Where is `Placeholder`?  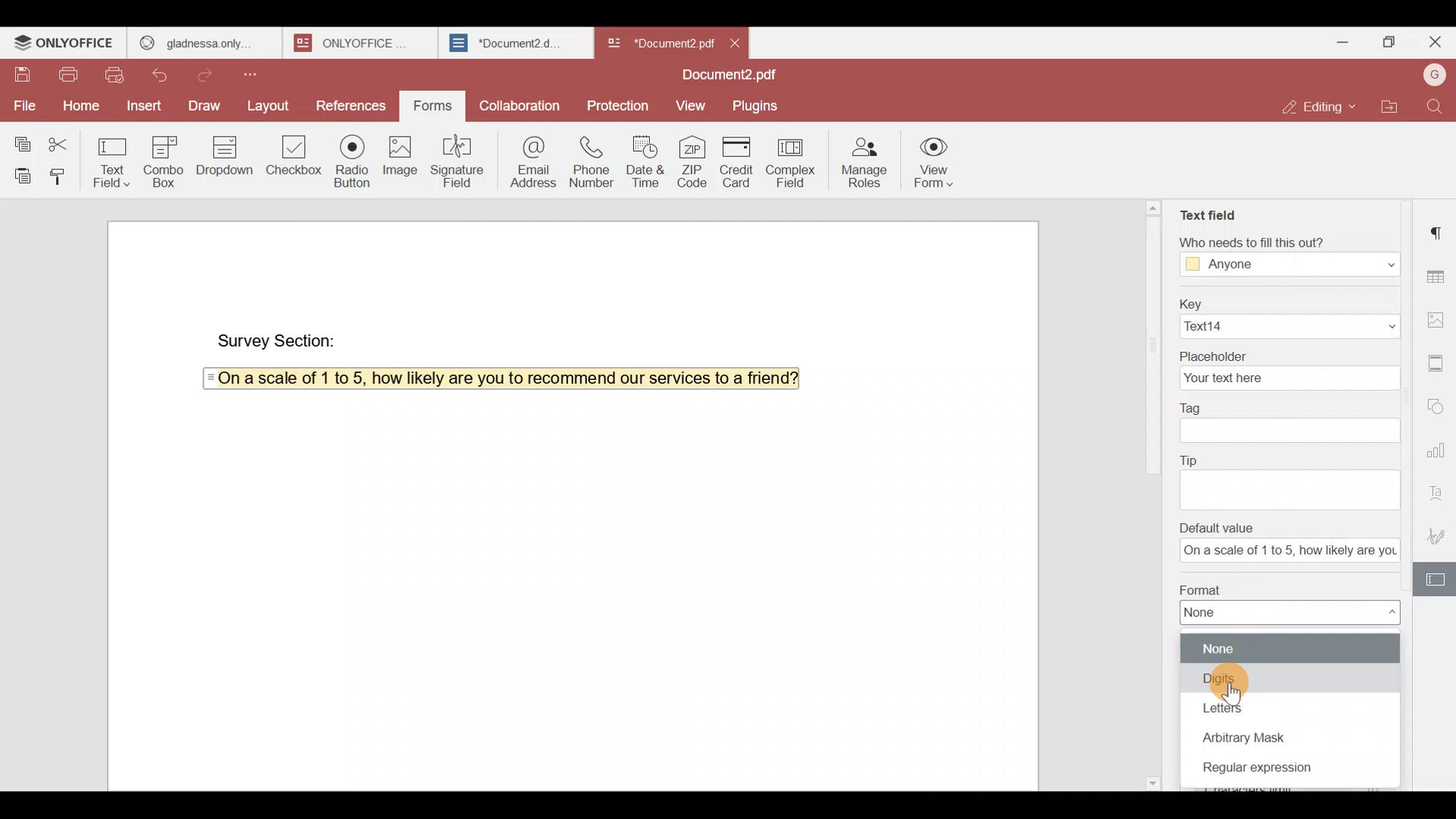
Placeholder is located at coordinates (1288, 352).